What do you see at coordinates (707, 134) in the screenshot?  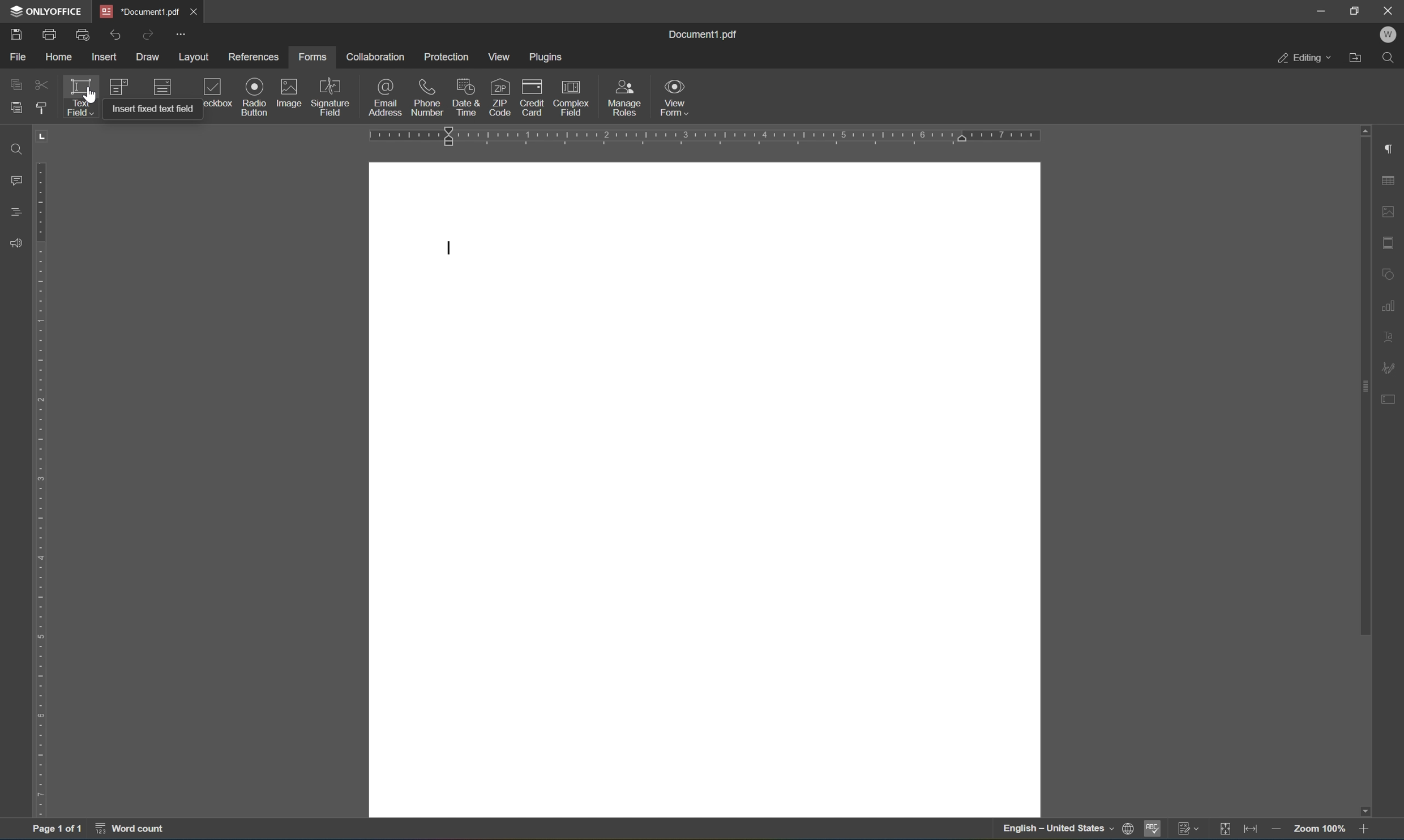 I see `ruler` at bounding box center [707, 134].